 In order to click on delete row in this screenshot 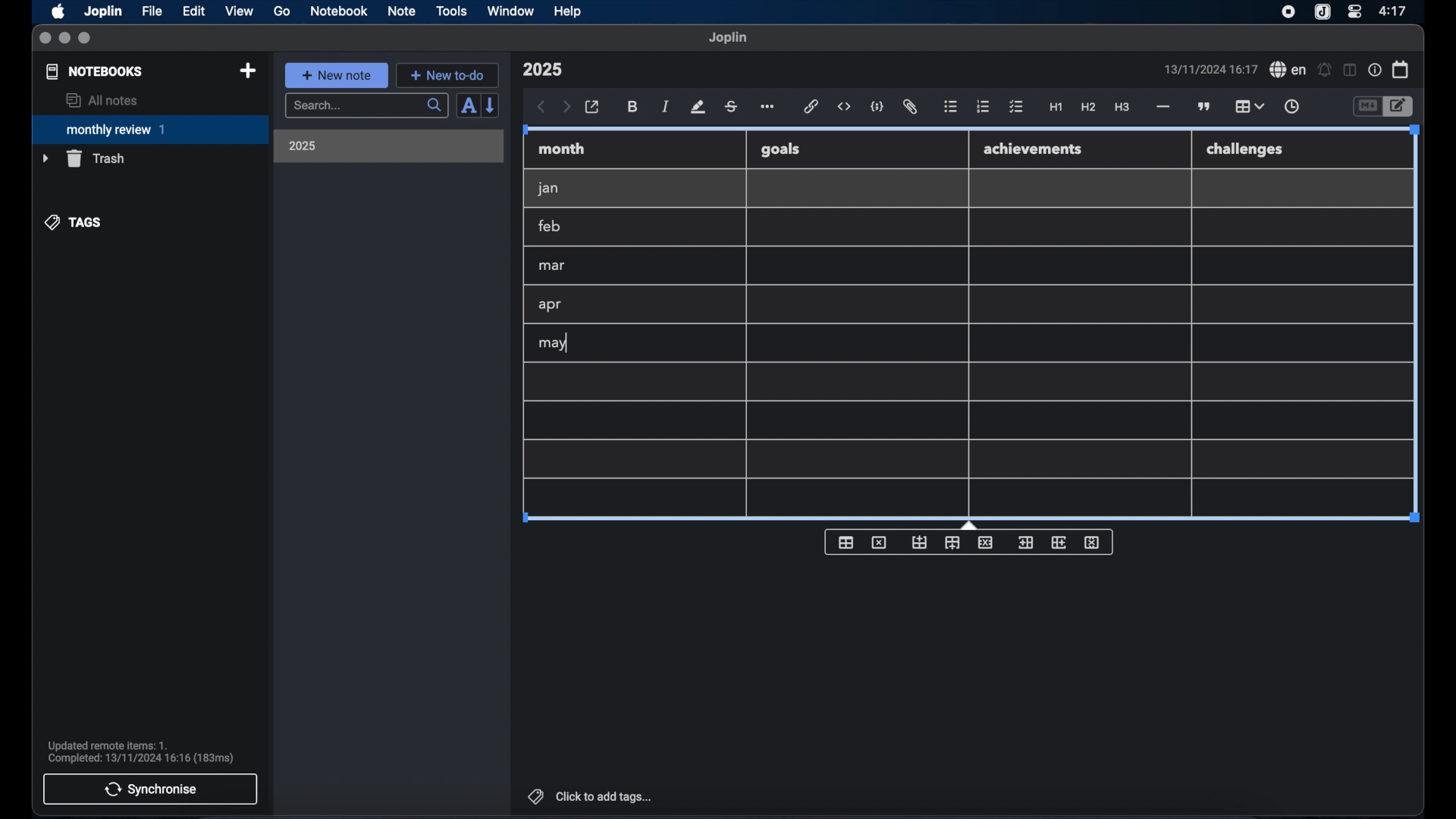, I will do `click(987, 541)`.